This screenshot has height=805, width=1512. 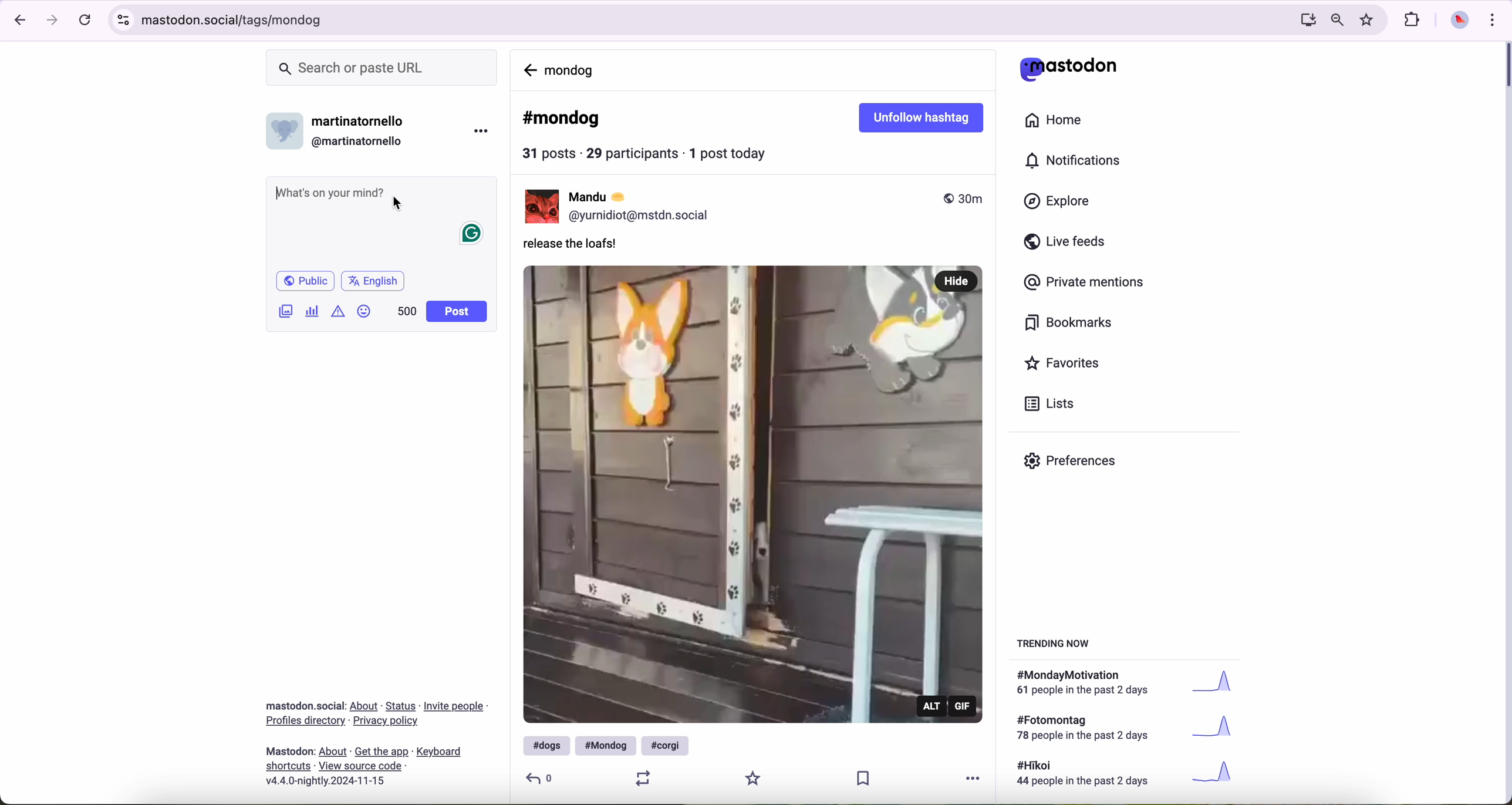 I want to click on profile, so click(x=643, y=216).